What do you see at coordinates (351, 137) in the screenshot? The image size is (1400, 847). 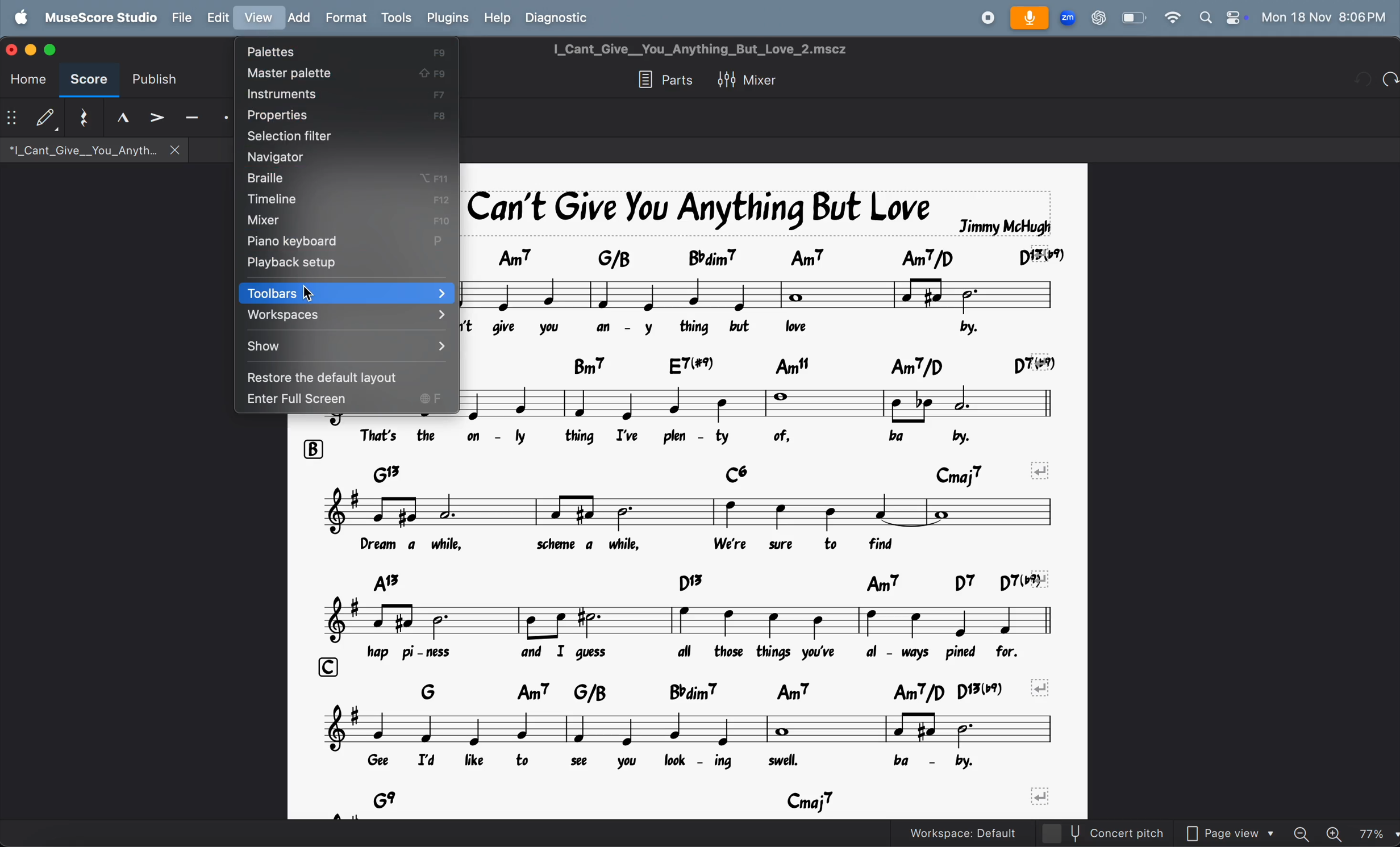 I see `selection filter` at bounding box center [351, 137].